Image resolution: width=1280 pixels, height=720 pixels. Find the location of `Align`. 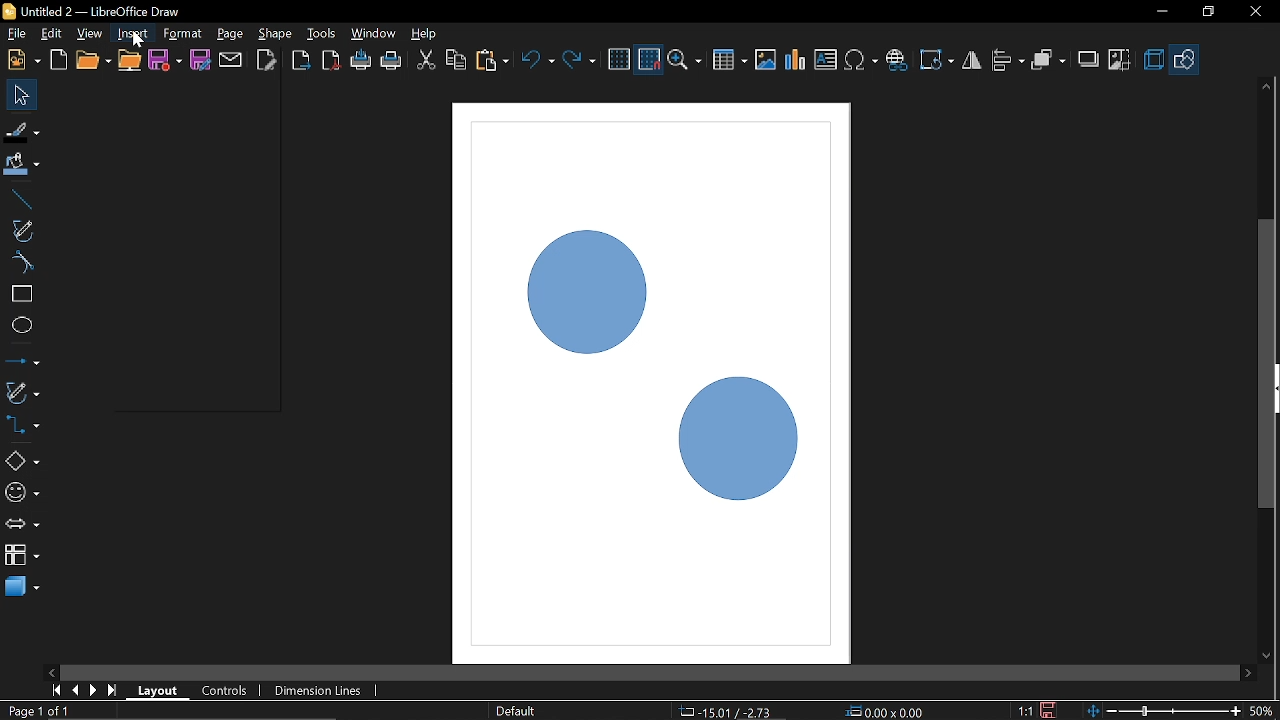

Align is located at coordinates (1009, 61).